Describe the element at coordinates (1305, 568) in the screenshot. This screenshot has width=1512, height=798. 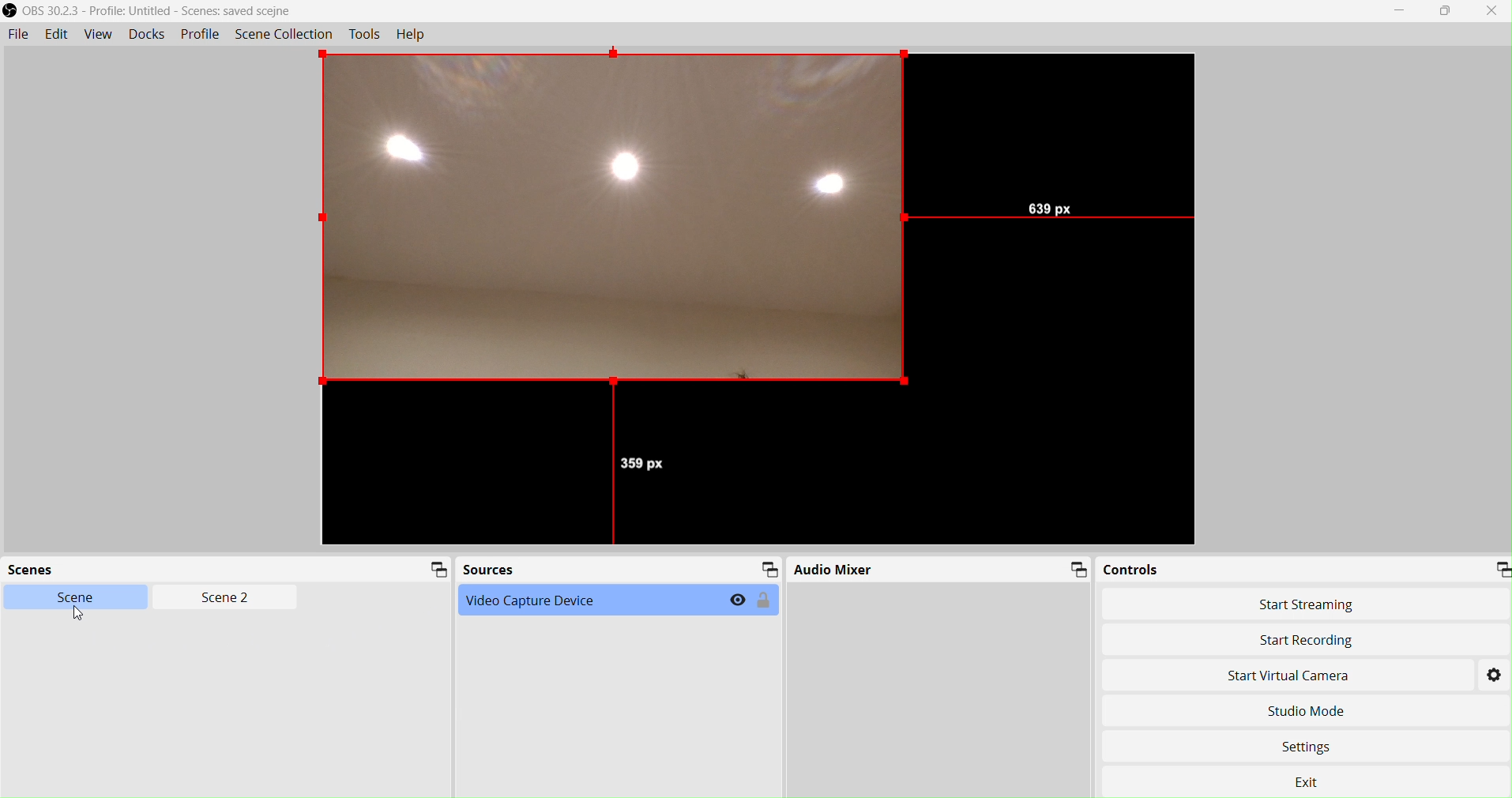
I see `Controls` at that location.